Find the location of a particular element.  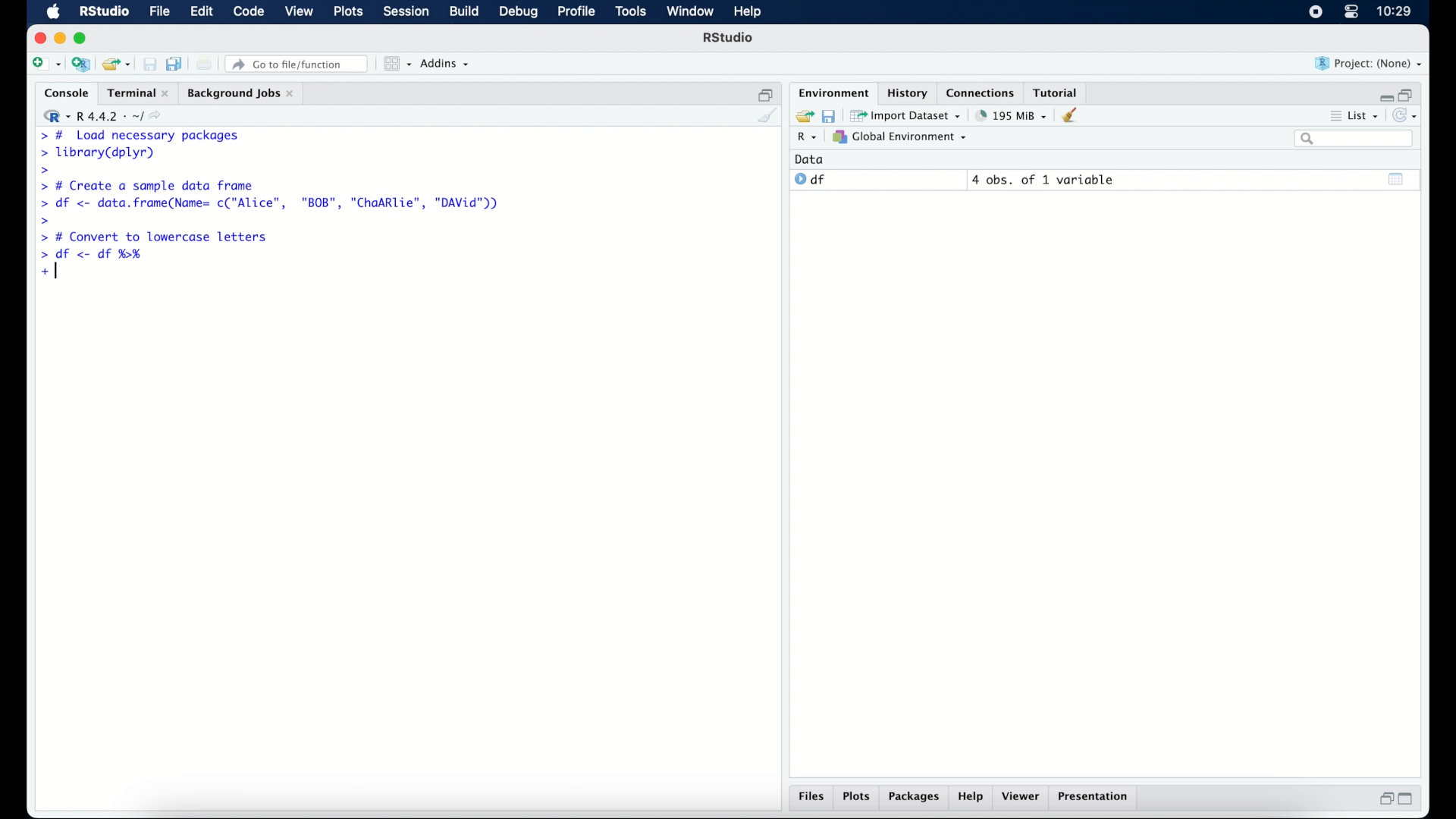

date is located at coordinates (810, 158).